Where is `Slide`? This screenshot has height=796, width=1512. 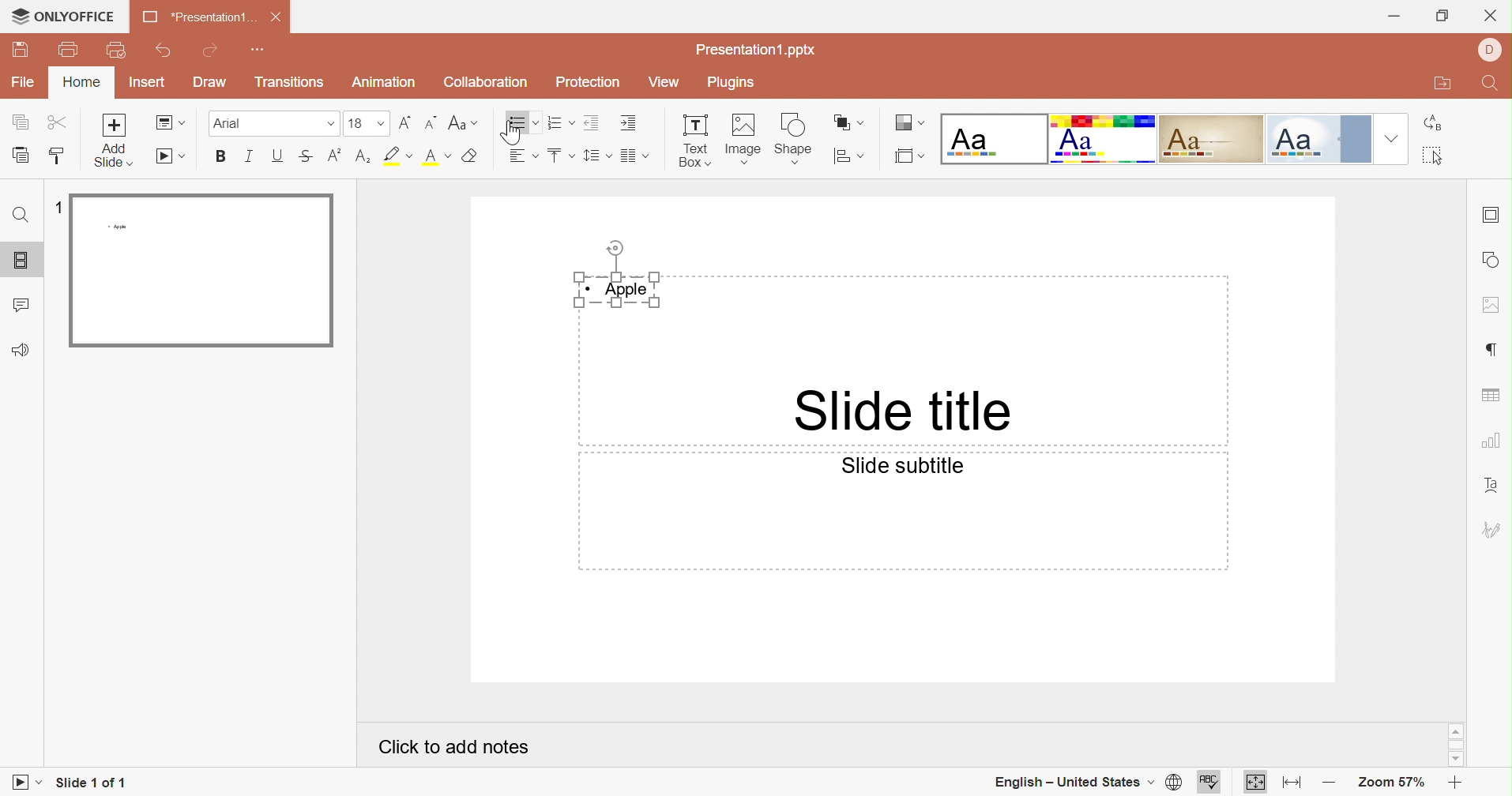 Slide is located at coordinates (201, 269).